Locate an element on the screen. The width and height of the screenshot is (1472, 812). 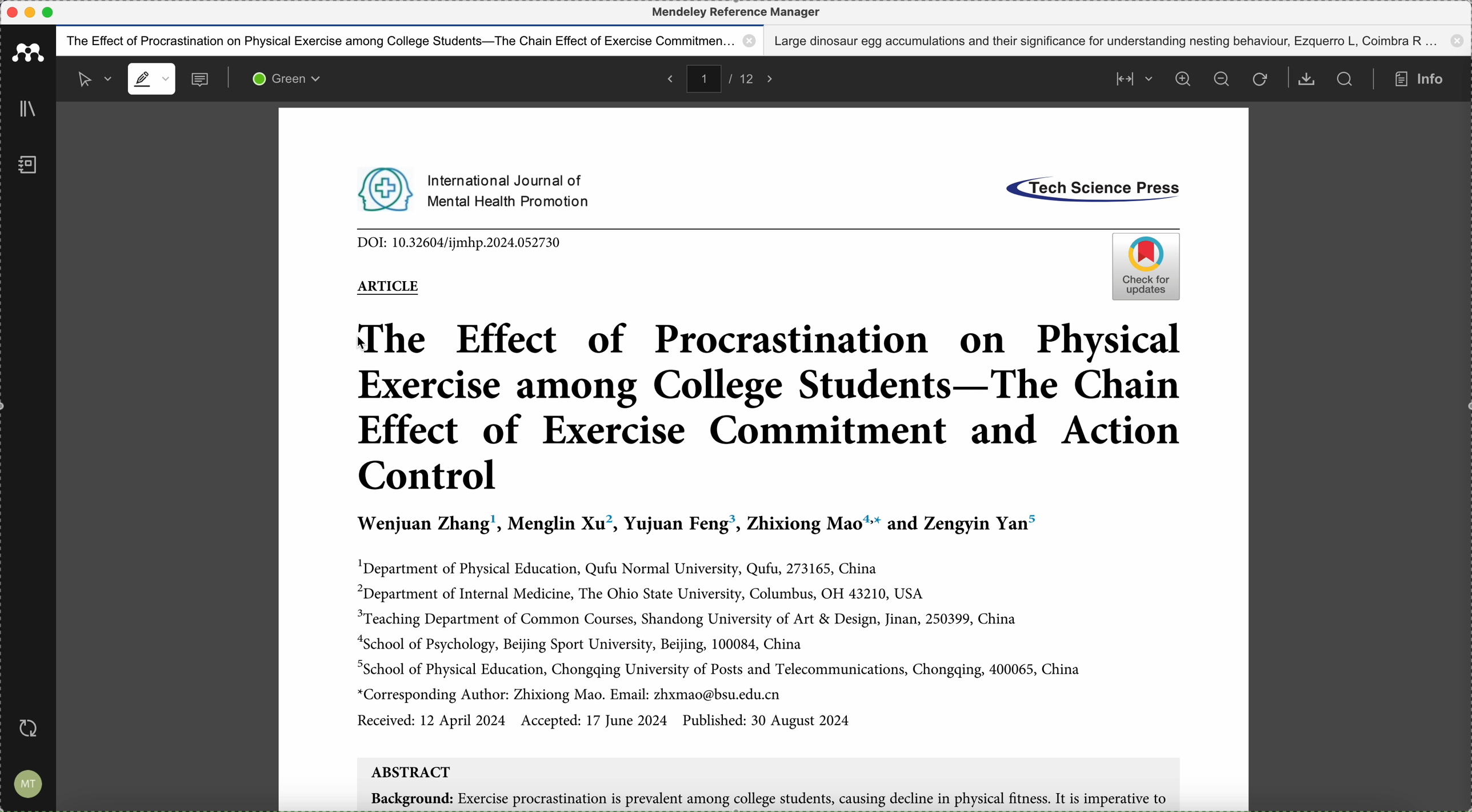
pages is located at coordinates (725, 77).